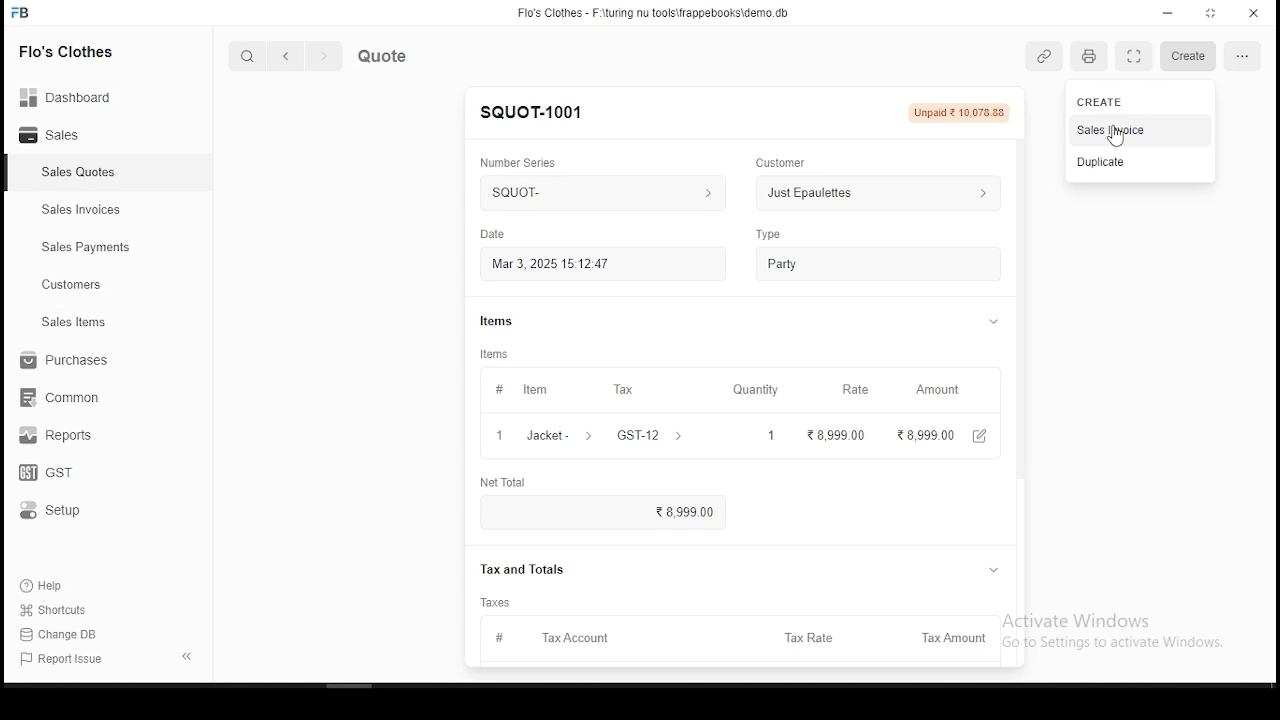 This screenshot has height=720, width=1280. What do you see at coordinates (876, 263) in the screenshot?
I see `party` at bounding box center [876, 263].